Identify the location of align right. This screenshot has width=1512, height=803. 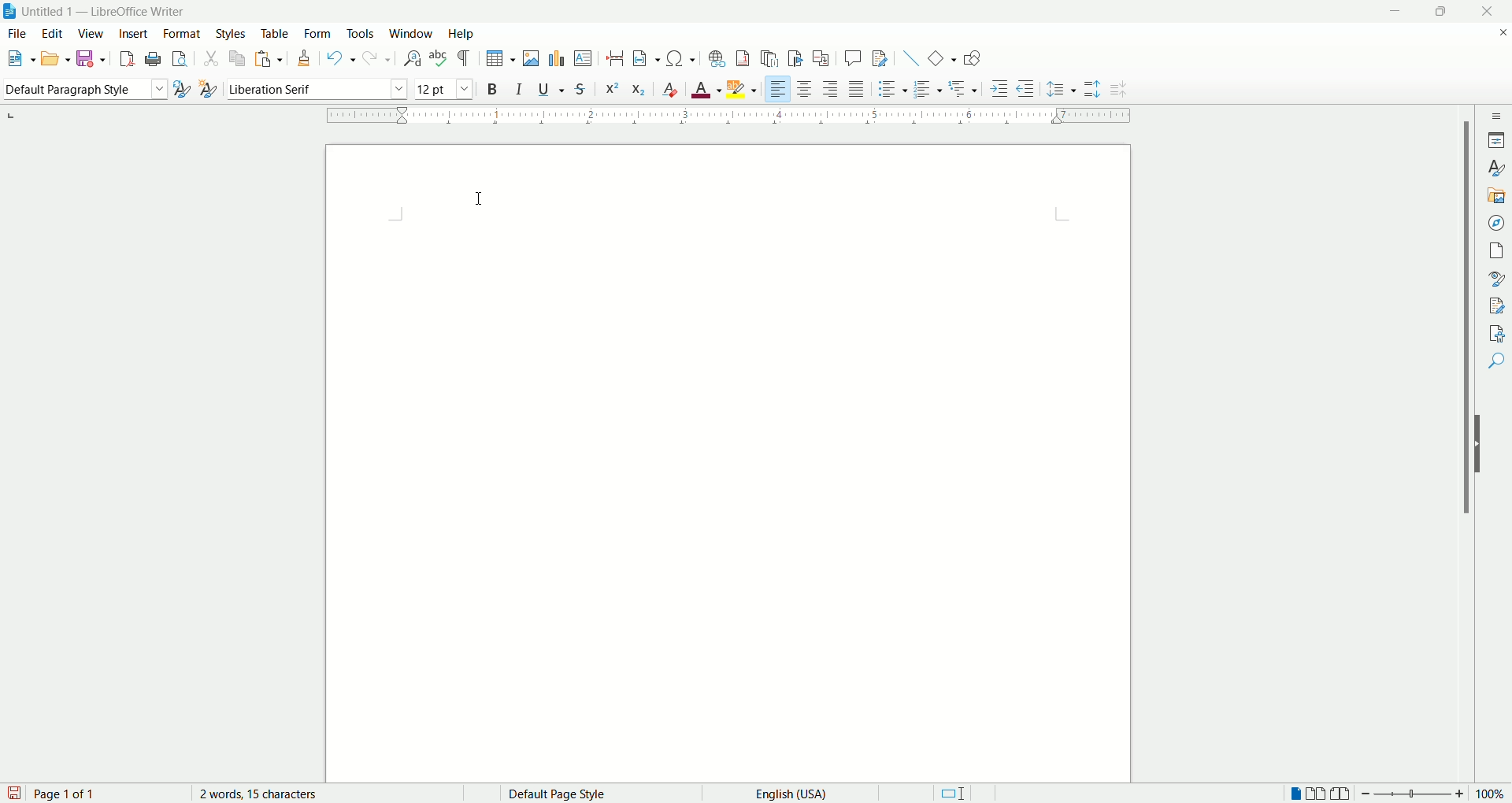
(828, 90).